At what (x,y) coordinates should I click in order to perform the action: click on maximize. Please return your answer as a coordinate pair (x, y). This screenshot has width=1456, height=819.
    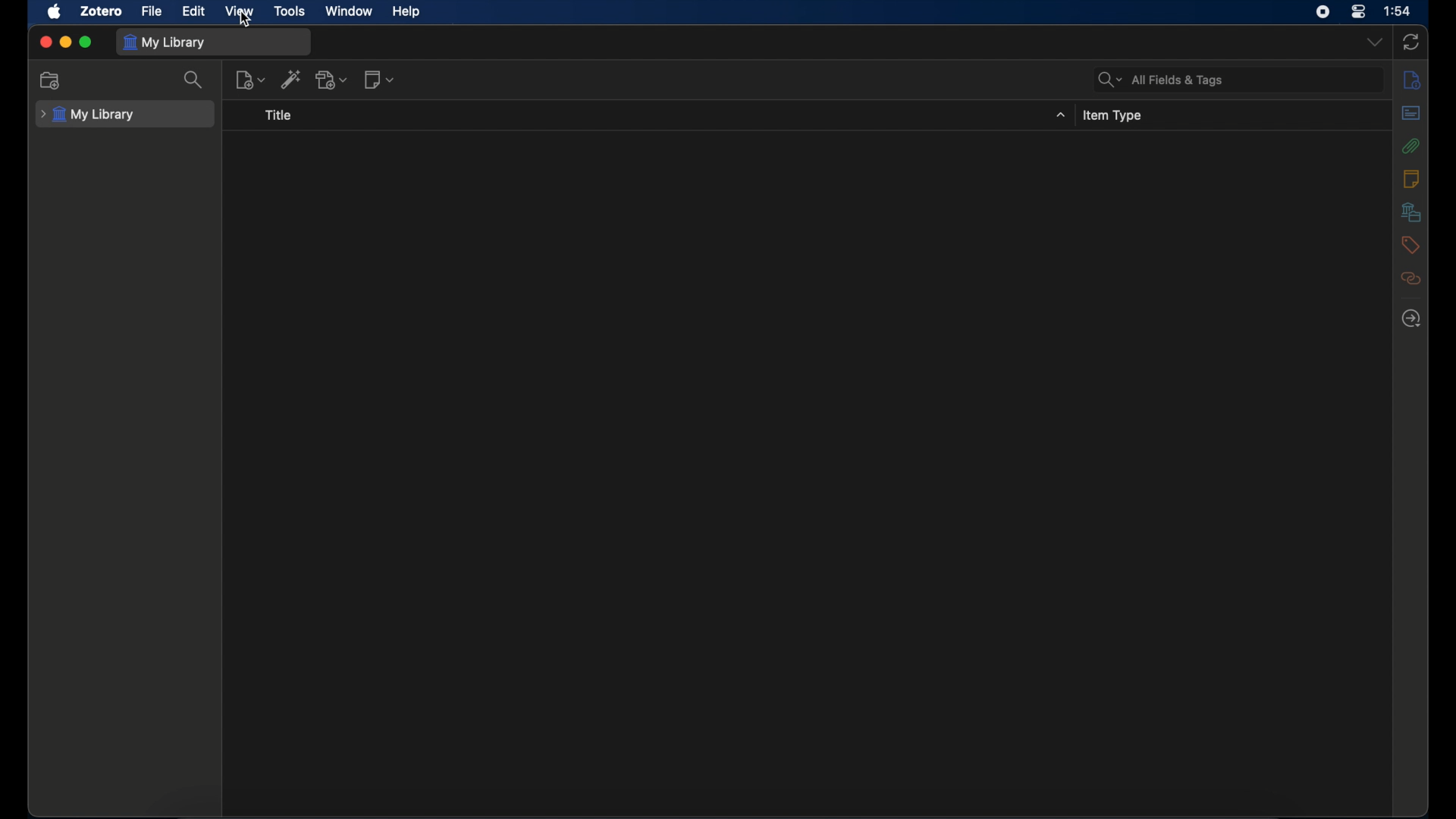
    Looking at the image, I should click on (86, 42).